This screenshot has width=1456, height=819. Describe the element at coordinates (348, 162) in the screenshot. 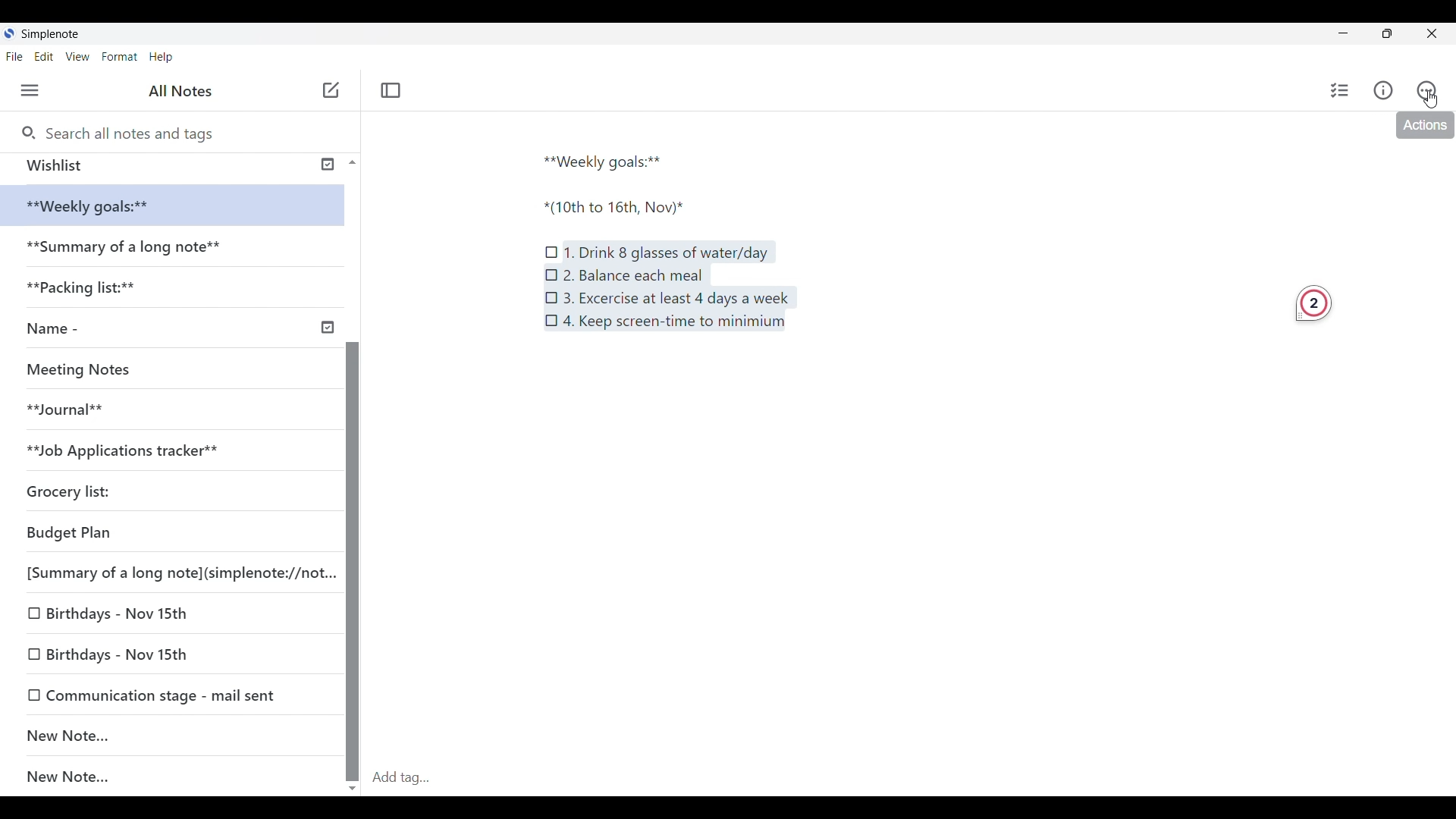

I see `Scroll up button` at that location.